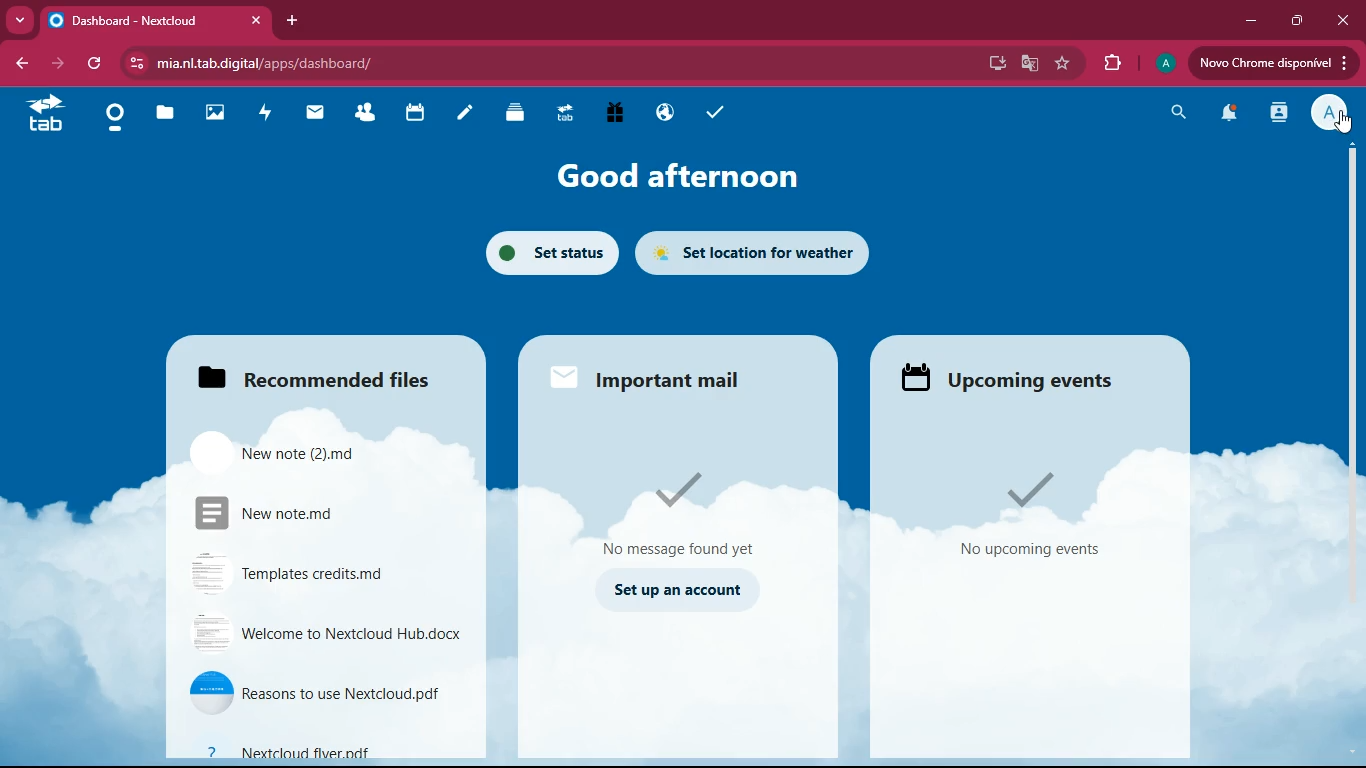 This screenshot has width=1366, height=768. I want to click on gift, so click(612, 115).